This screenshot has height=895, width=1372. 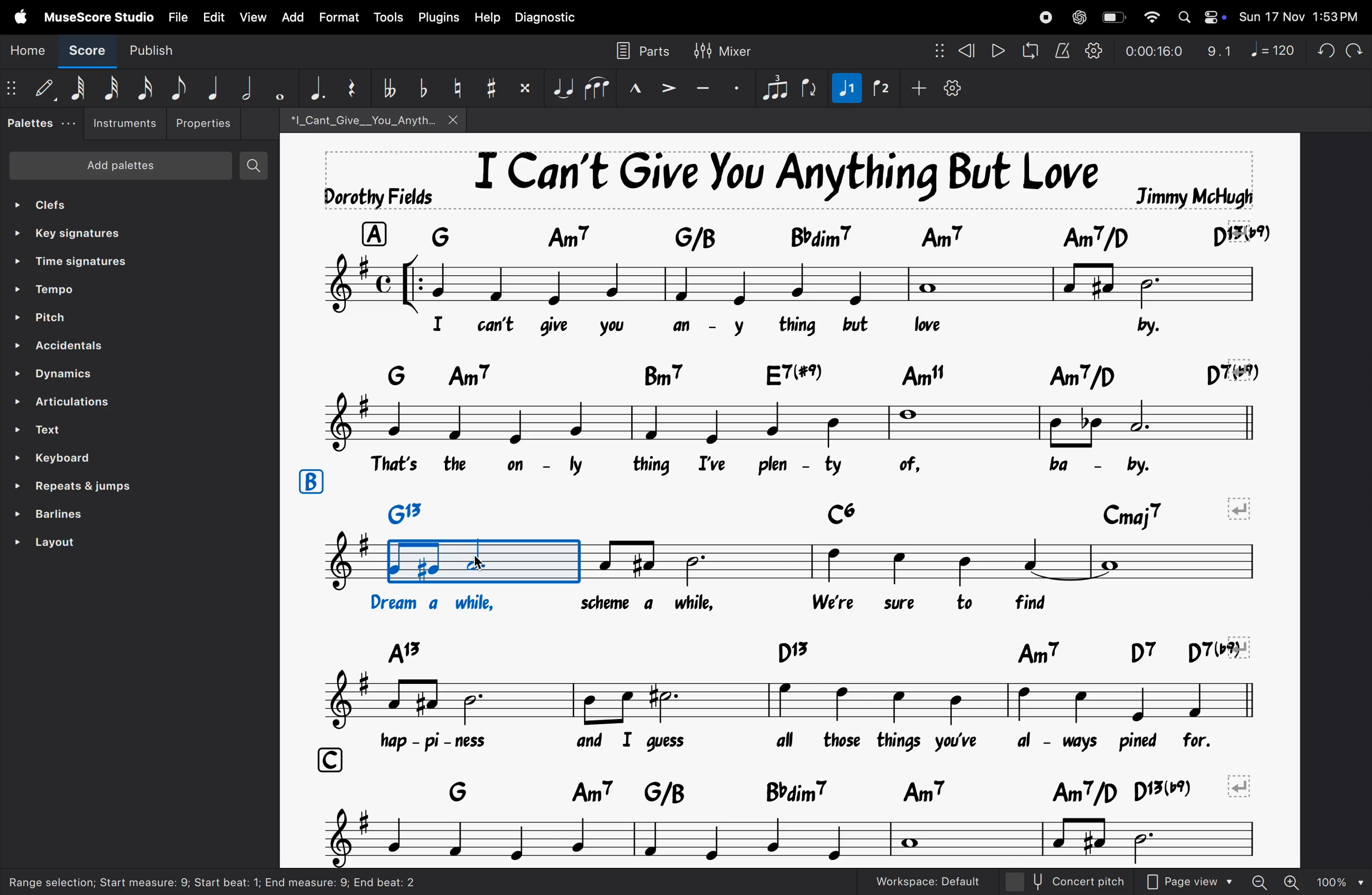 I want to click on lyrics, so click(x=766, y=604).